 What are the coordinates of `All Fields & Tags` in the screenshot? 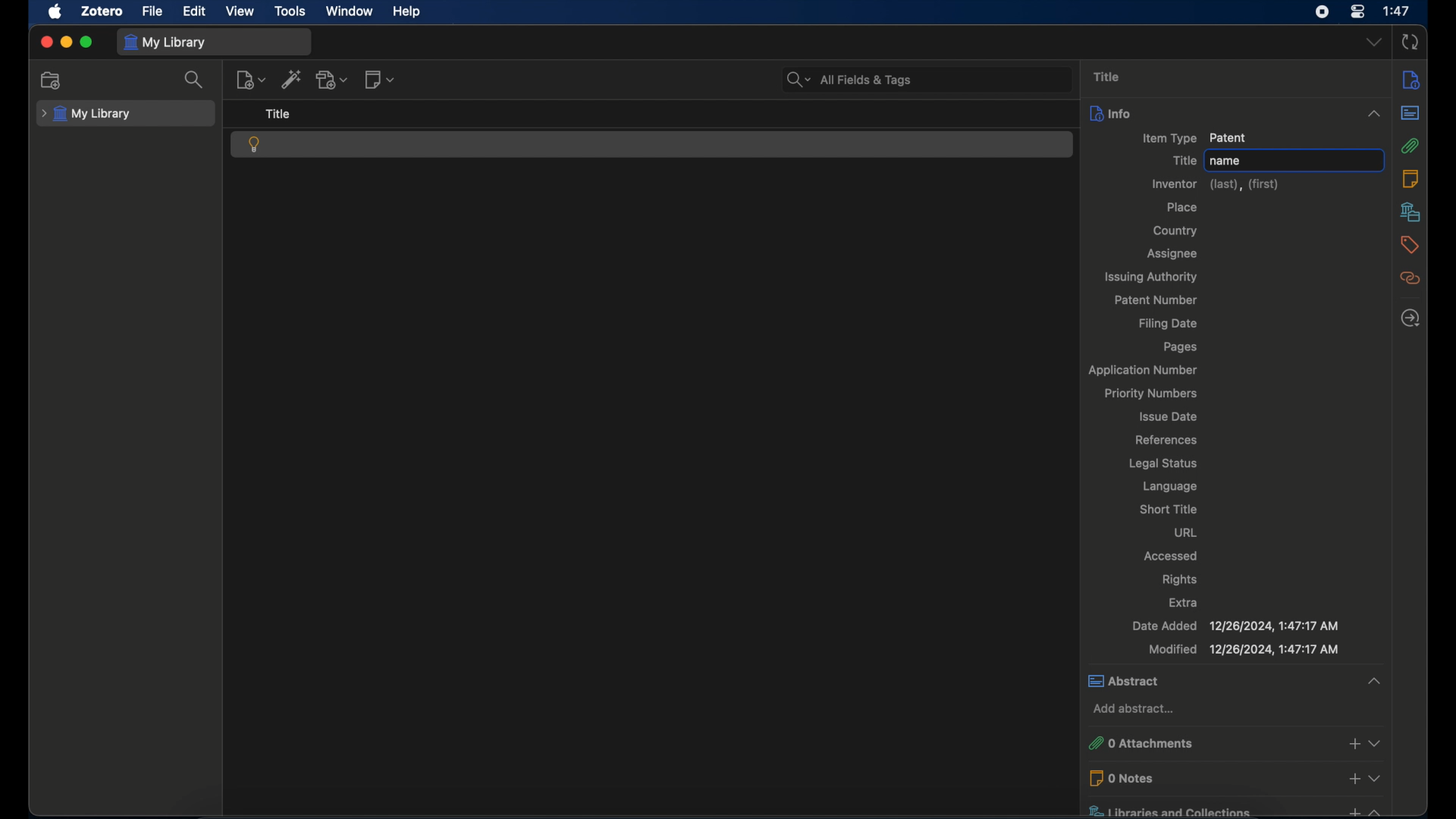 It's located at (925, 78).